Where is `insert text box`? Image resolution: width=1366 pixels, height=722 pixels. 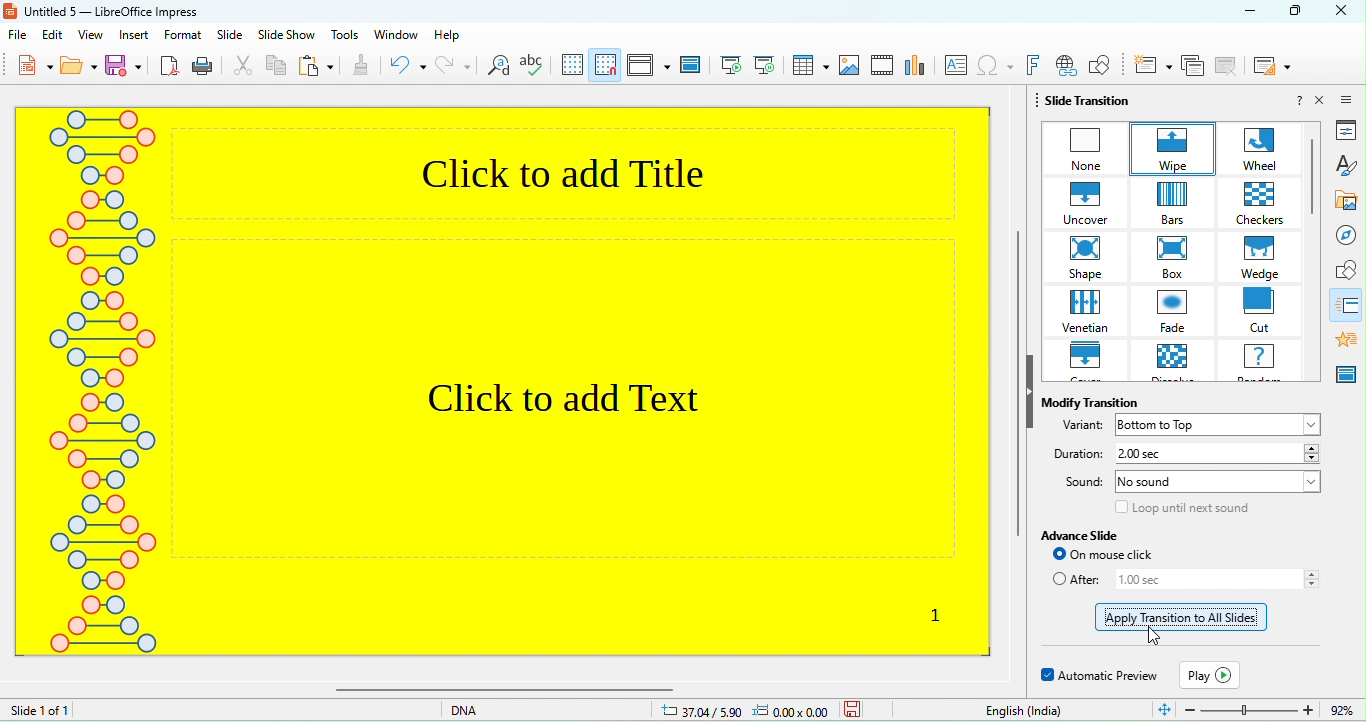 insert text box is located at coordinates (951, 69).